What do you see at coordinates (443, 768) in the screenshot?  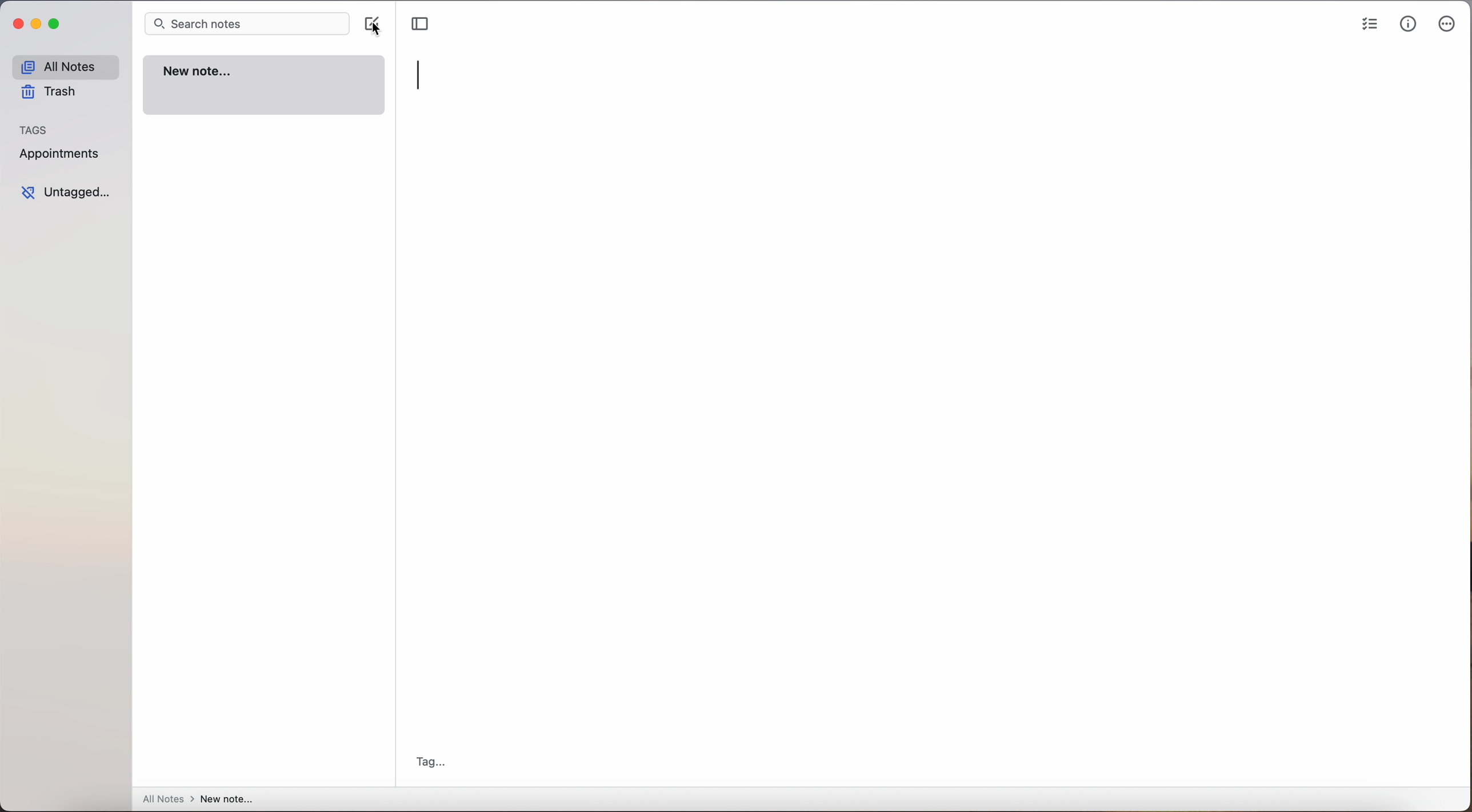 I see `tag` at bounding box center [443, 768].